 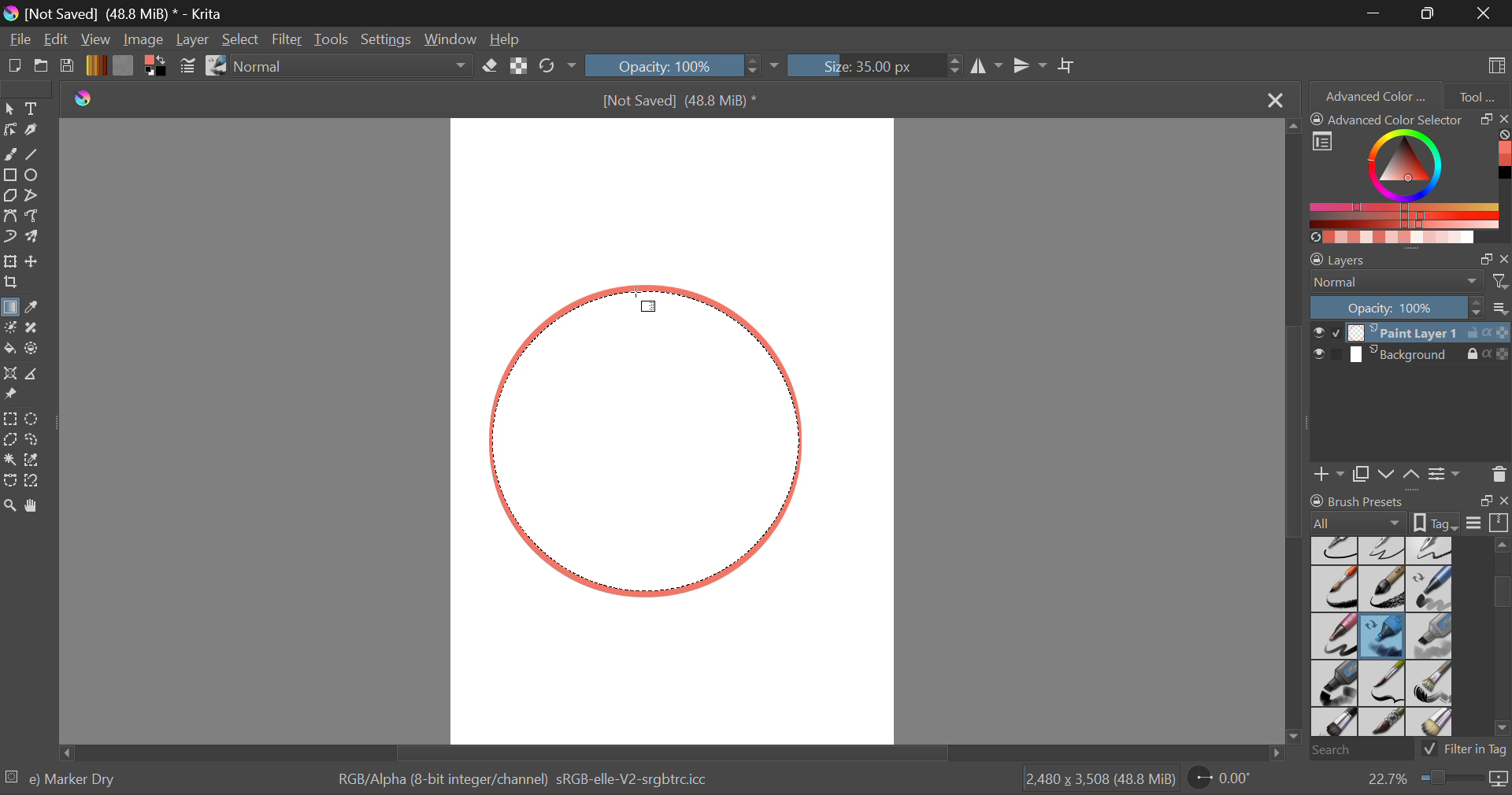 What do you see at coordinates (1444, 473) in the screenshot?
I see `Settings` at bounding box center [1444, 473].